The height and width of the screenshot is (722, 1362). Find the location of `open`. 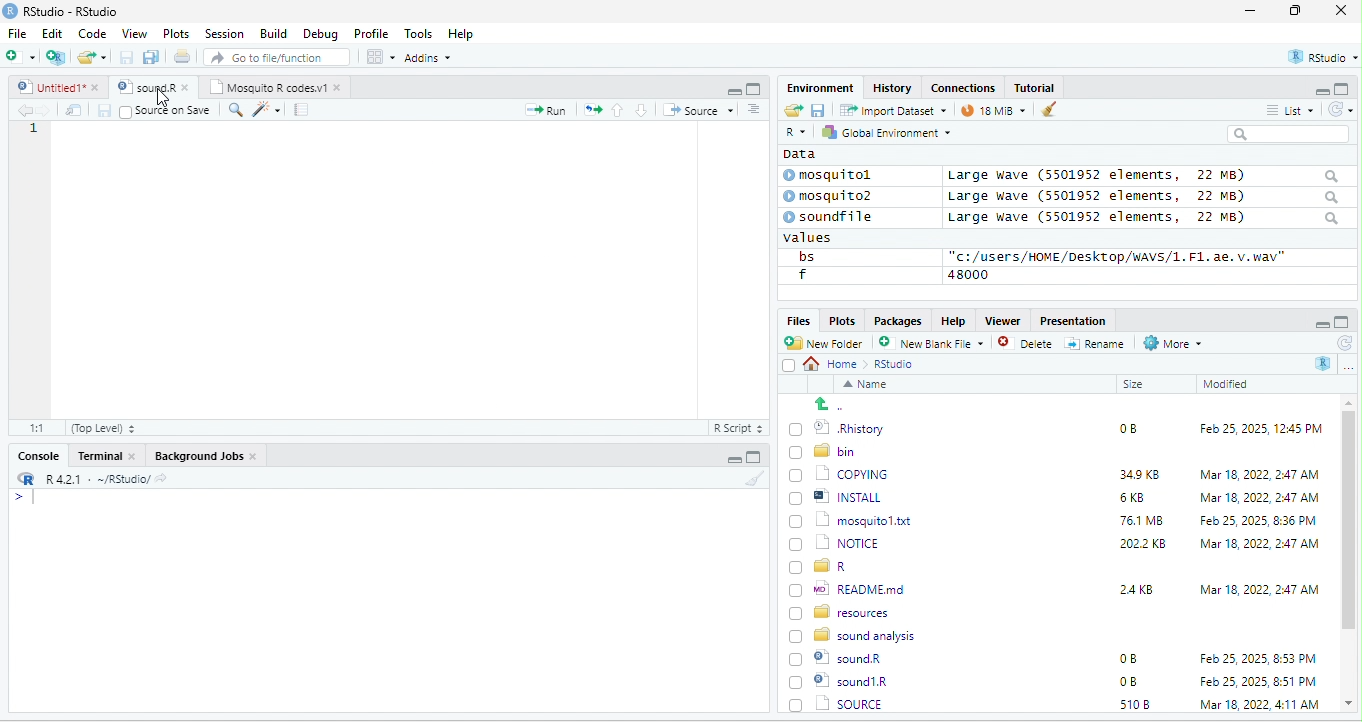

open is located at coordinates (74, 110).